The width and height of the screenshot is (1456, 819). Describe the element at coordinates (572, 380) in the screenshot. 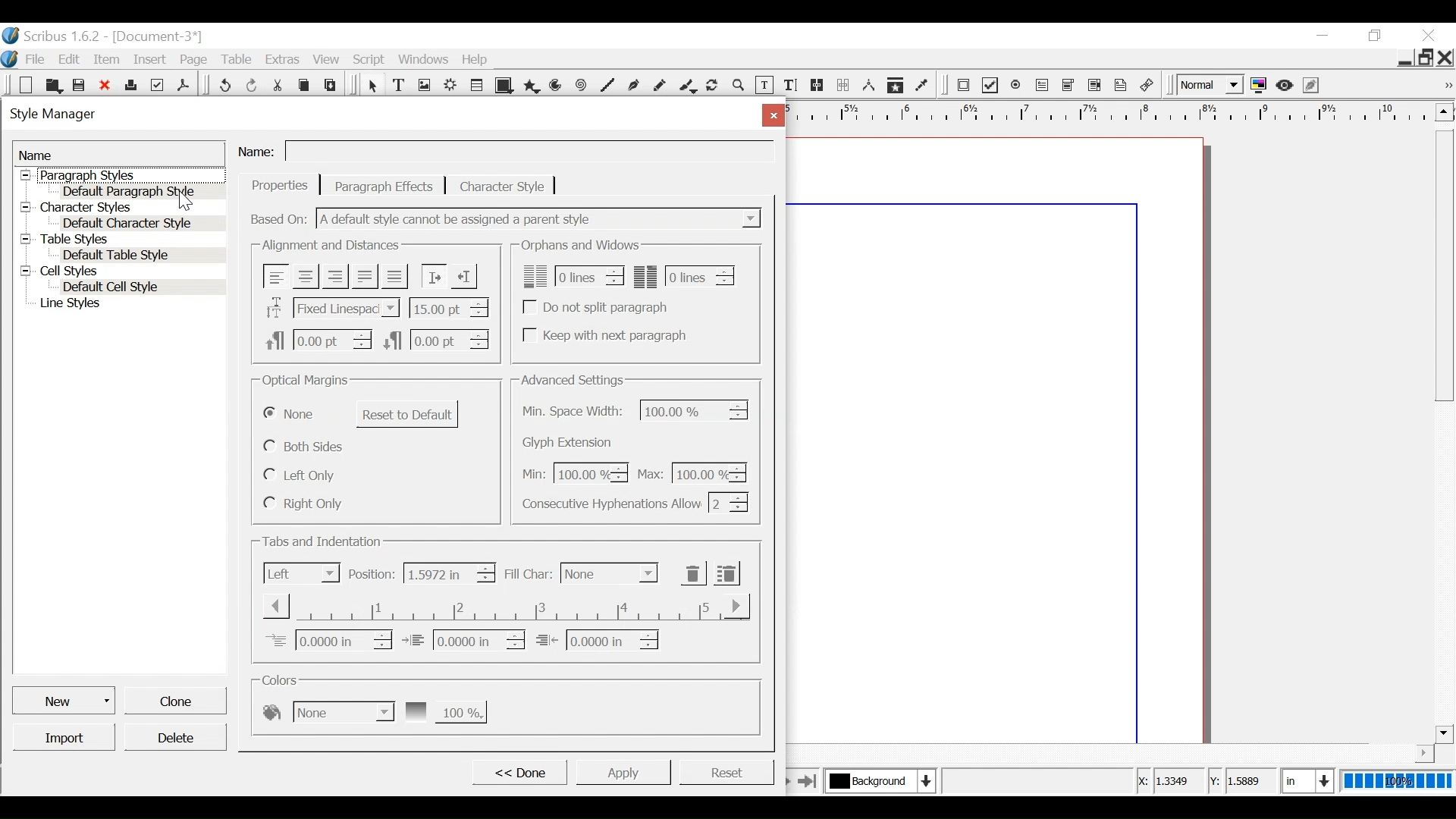

I see `Advanced Setting` at that location.